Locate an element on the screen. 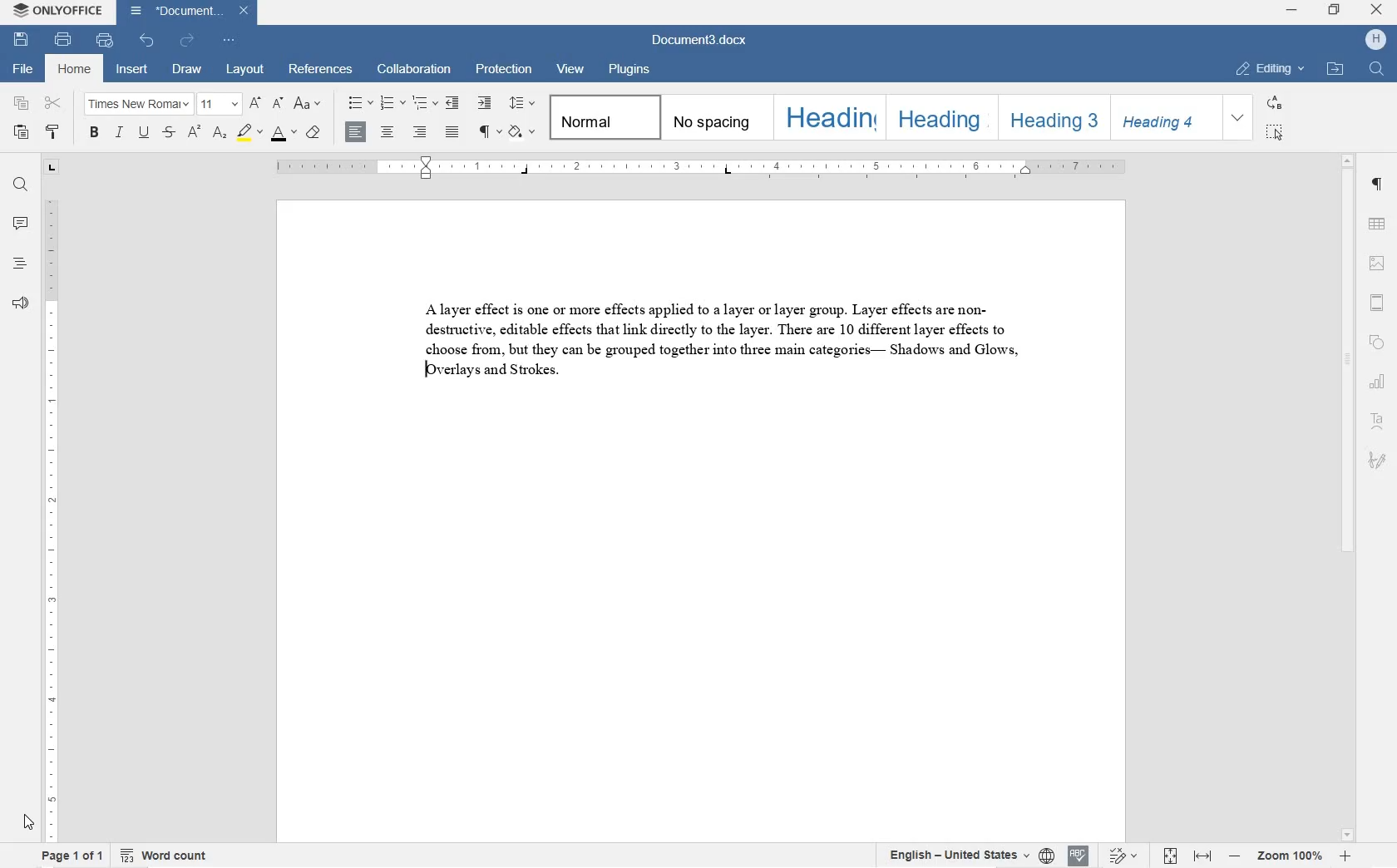  ONLYOFFICE is located at coordinates (57, 11).